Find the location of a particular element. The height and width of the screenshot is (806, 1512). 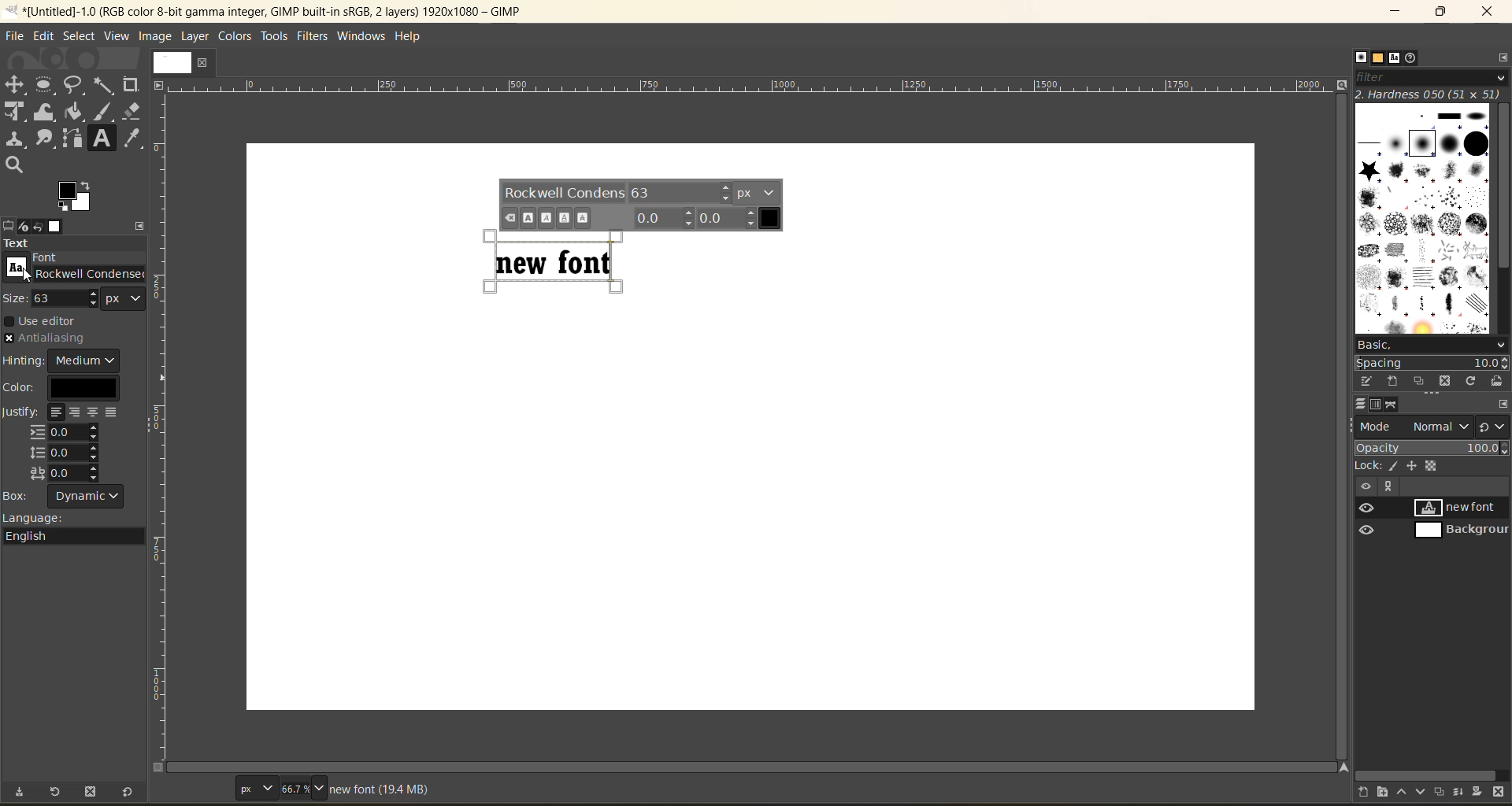

reset tool preset is located at coordinates (128, 793).